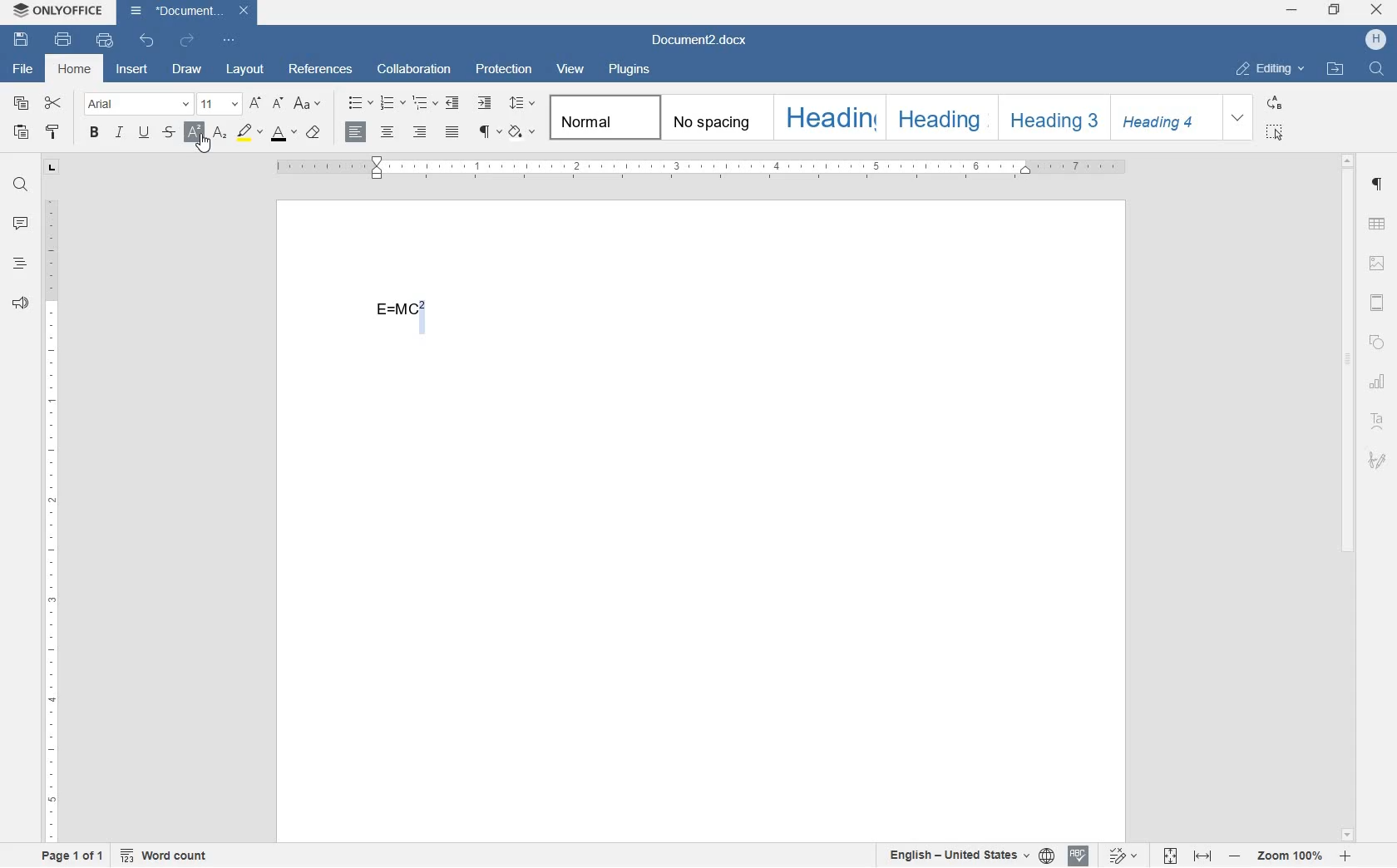 The width and height of the screenshot is (1397, 868). What do you see at coordinates (254, 104) in the screenshot?
I see `increment font size` at bounding box center [254, 104].